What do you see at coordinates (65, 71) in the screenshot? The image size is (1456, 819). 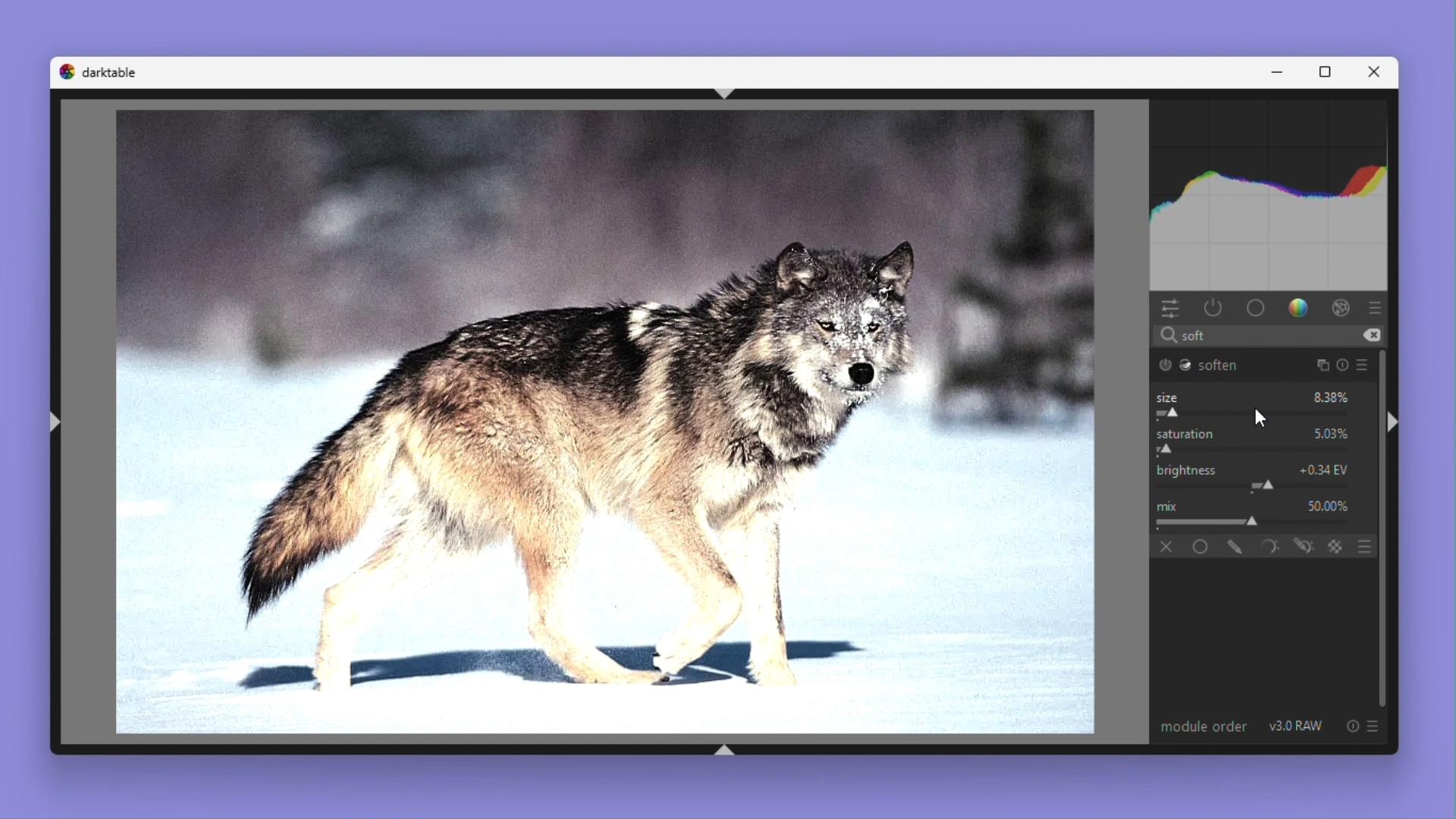 I see `logo` at bounding box center [65, 71].